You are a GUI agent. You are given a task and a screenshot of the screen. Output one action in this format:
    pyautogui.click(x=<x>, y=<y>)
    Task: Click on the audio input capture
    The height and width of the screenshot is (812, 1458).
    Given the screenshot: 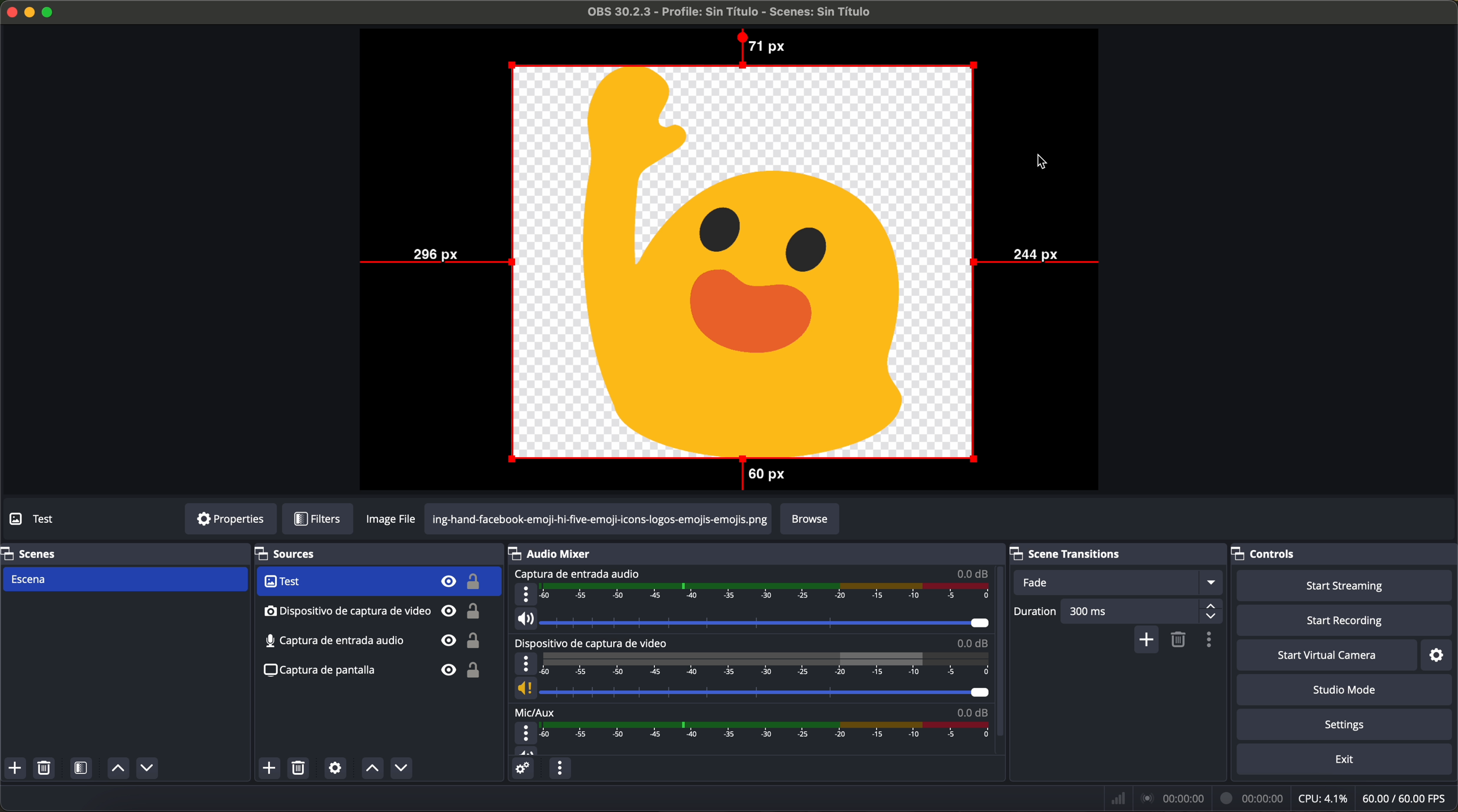 What is the action you would take?
    pyautogui.click(x=373, y=611)
    